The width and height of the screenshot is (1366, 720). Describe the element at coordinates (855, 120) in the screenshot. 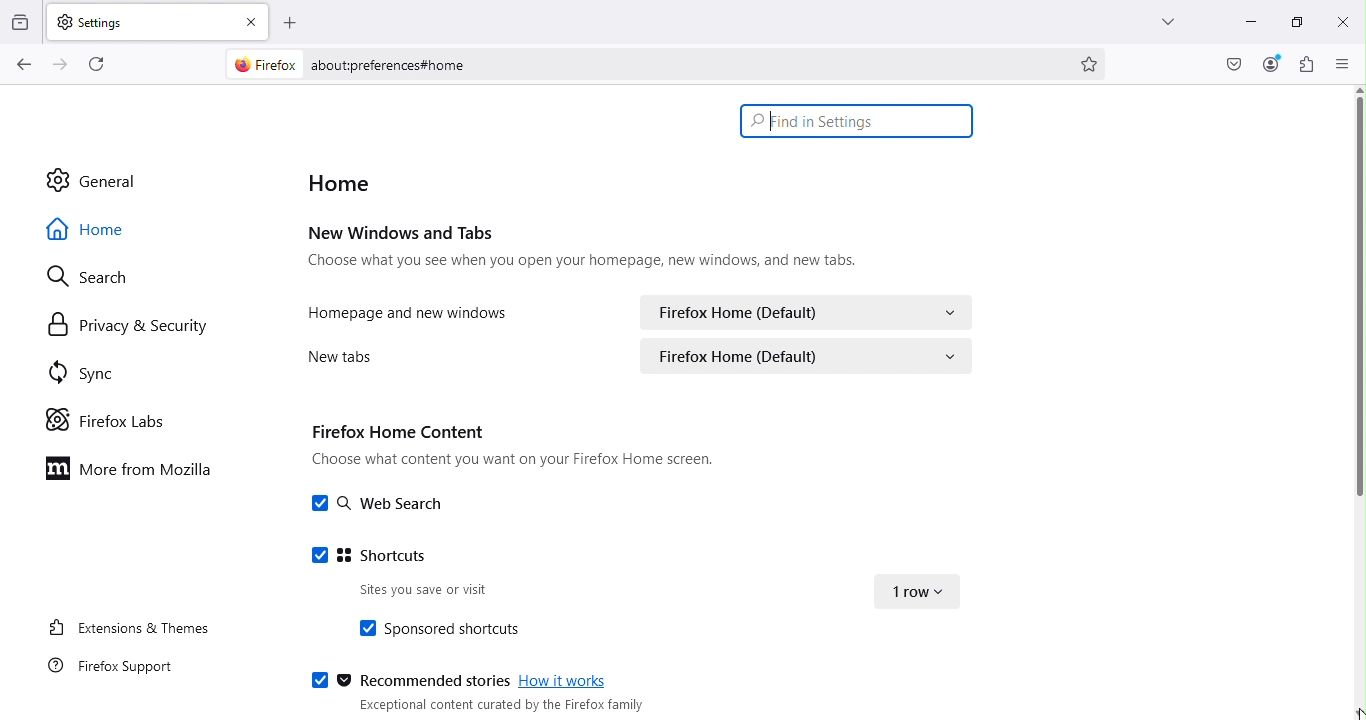

I see `Search bar` at that location.